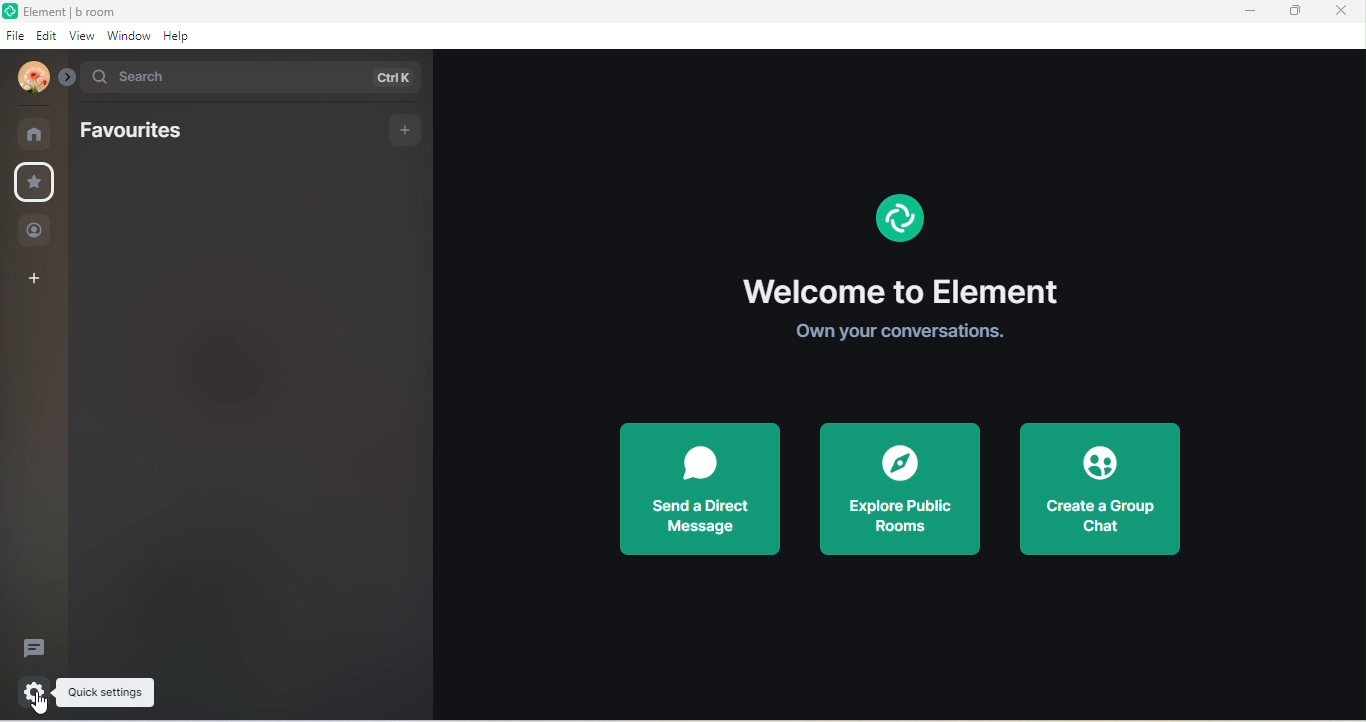  I want to click on create a group chat, so click(1109, 487).